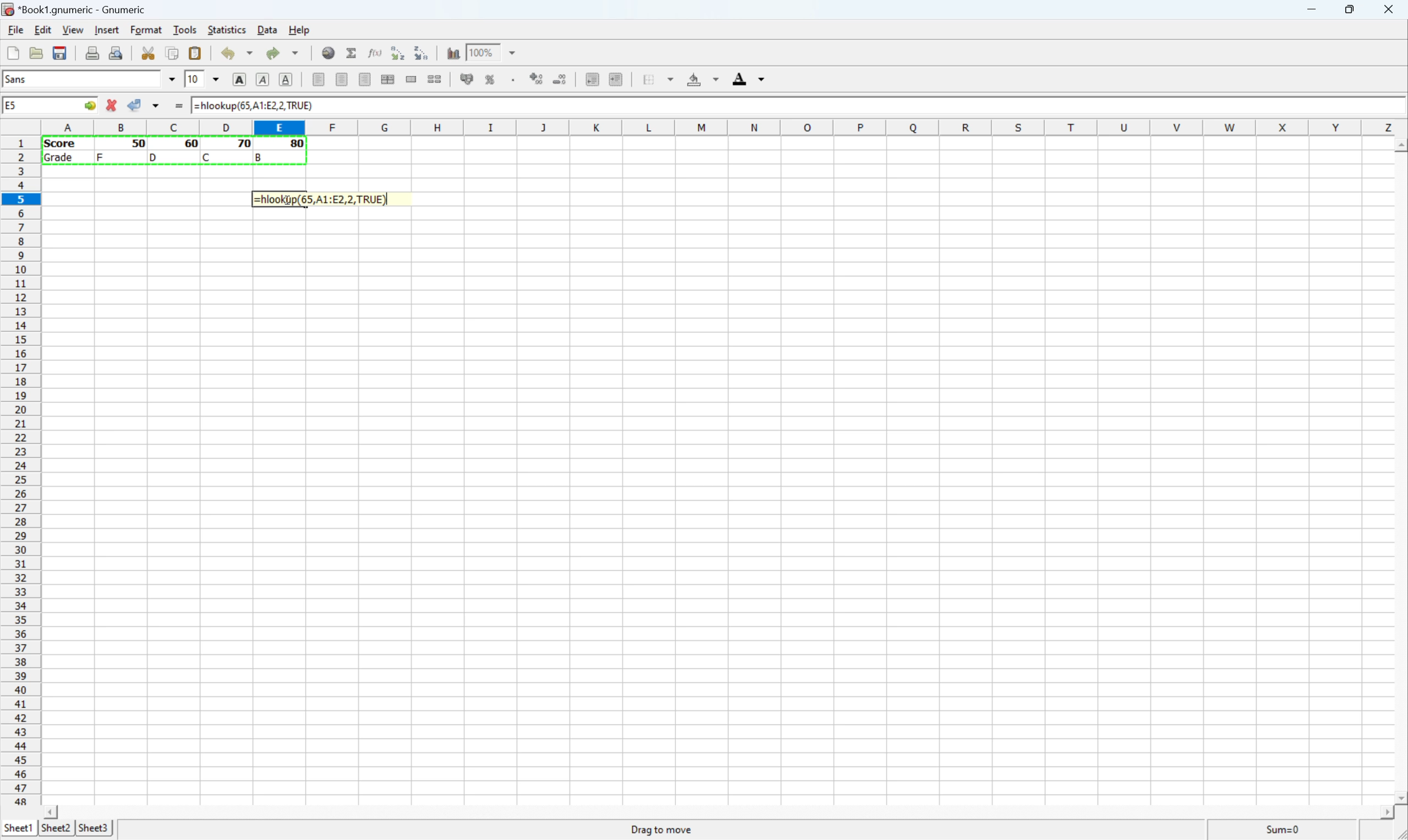 This screenshot has width=1408, height=840. I want to click on D, so click(155, 157).